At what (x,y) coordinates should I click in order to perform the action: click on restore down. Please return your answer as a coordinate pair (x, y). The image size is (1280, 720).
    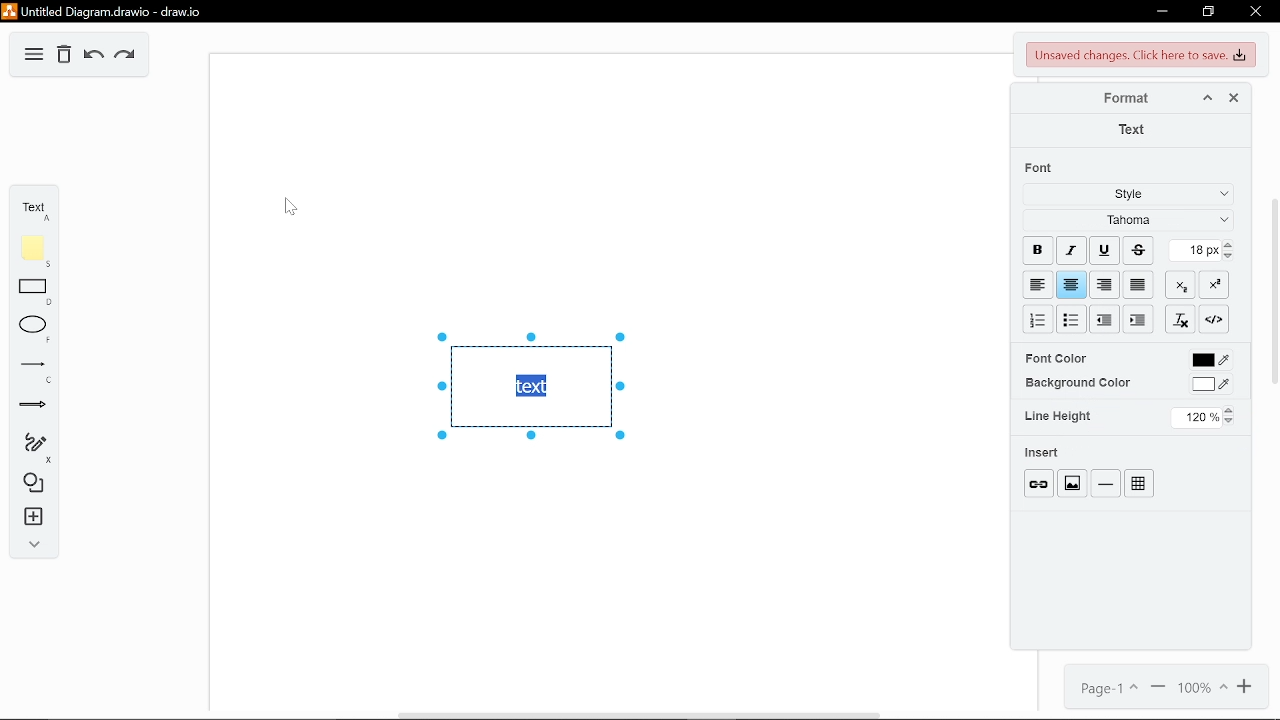
    Looking at the image, I should click on (1210, 12).